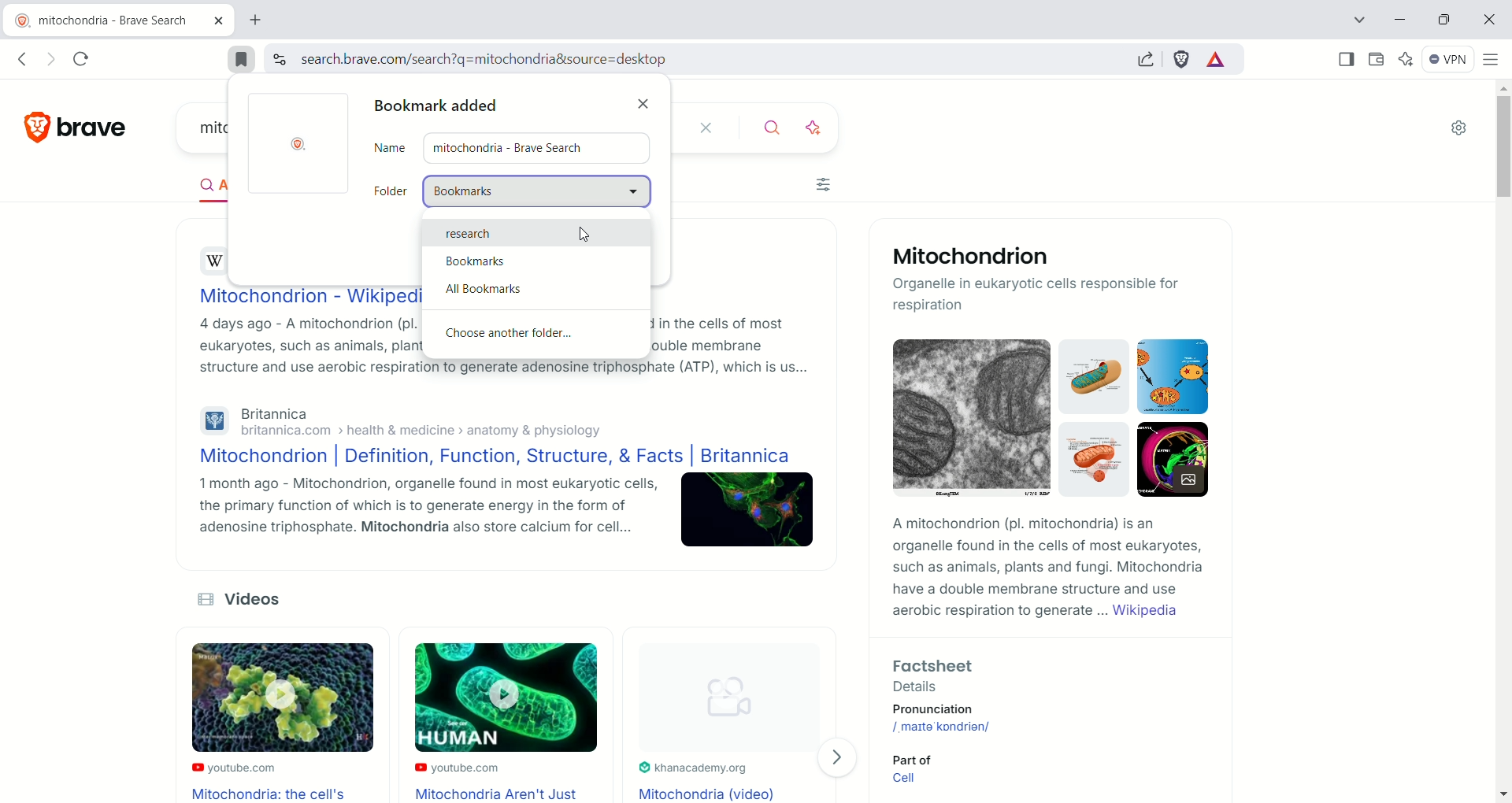  Describe the element at coordinates (1401, 19) in the screenshot. I see `minimize` at that location.